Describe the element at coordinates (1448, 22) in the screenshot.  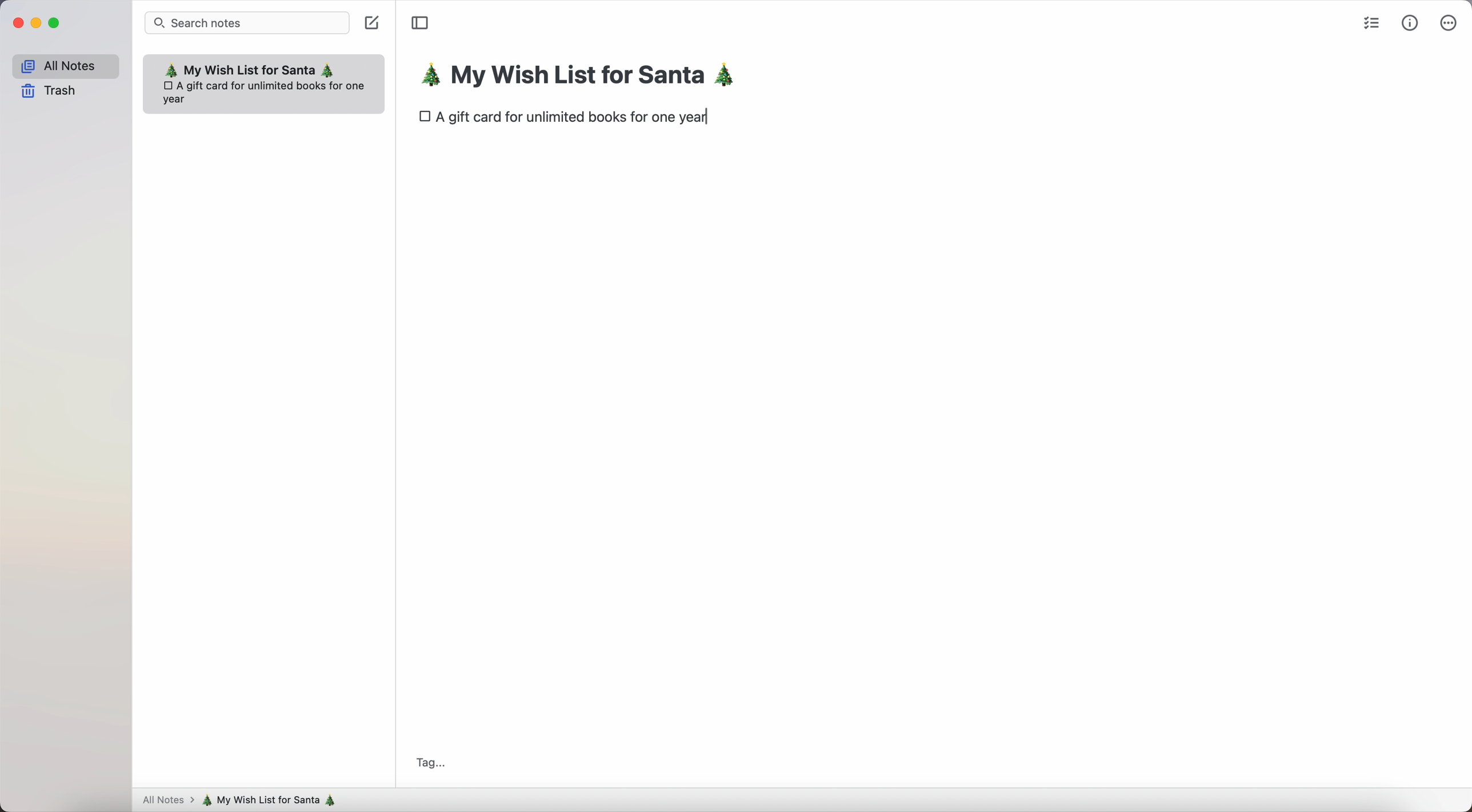
I see `more options` at that location.